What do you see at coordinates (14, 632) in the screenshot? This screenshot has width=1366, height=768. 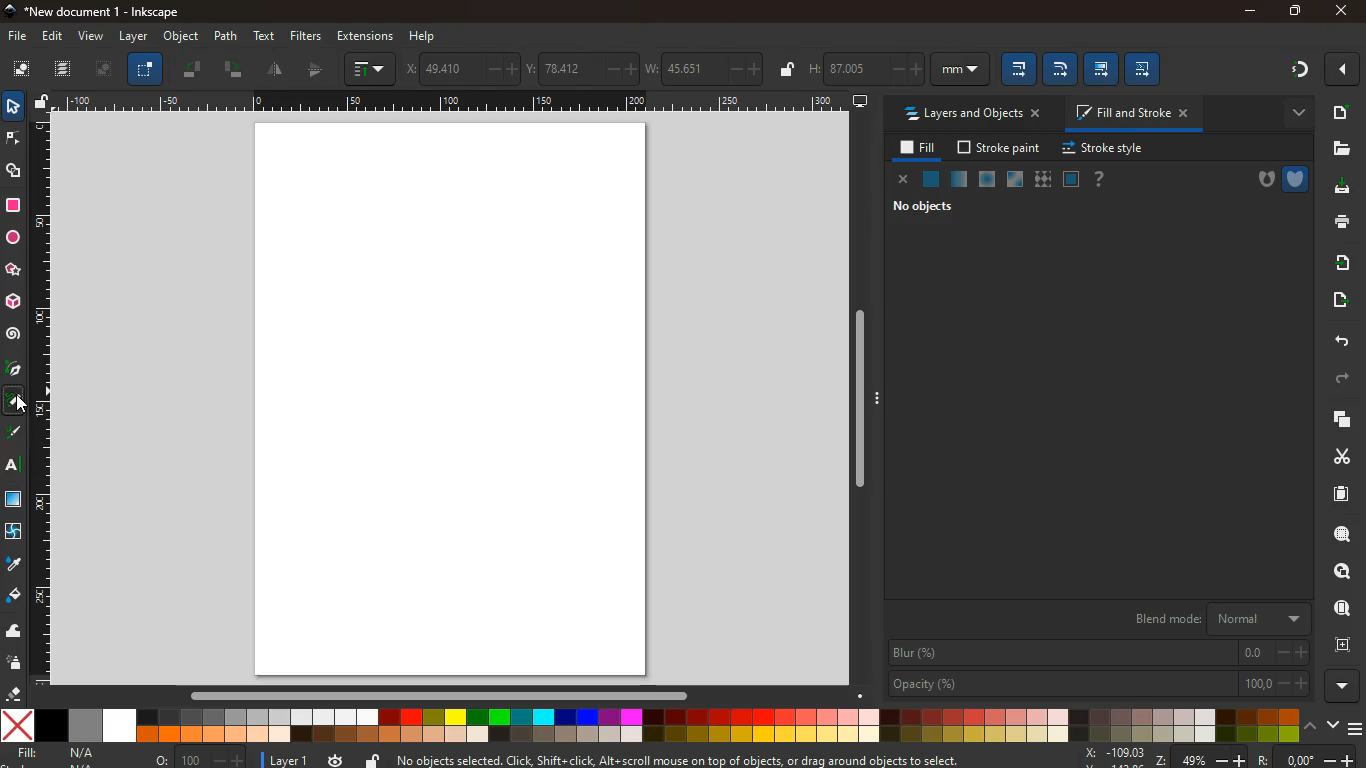 I see `wave` at bounding box center [14, 632].